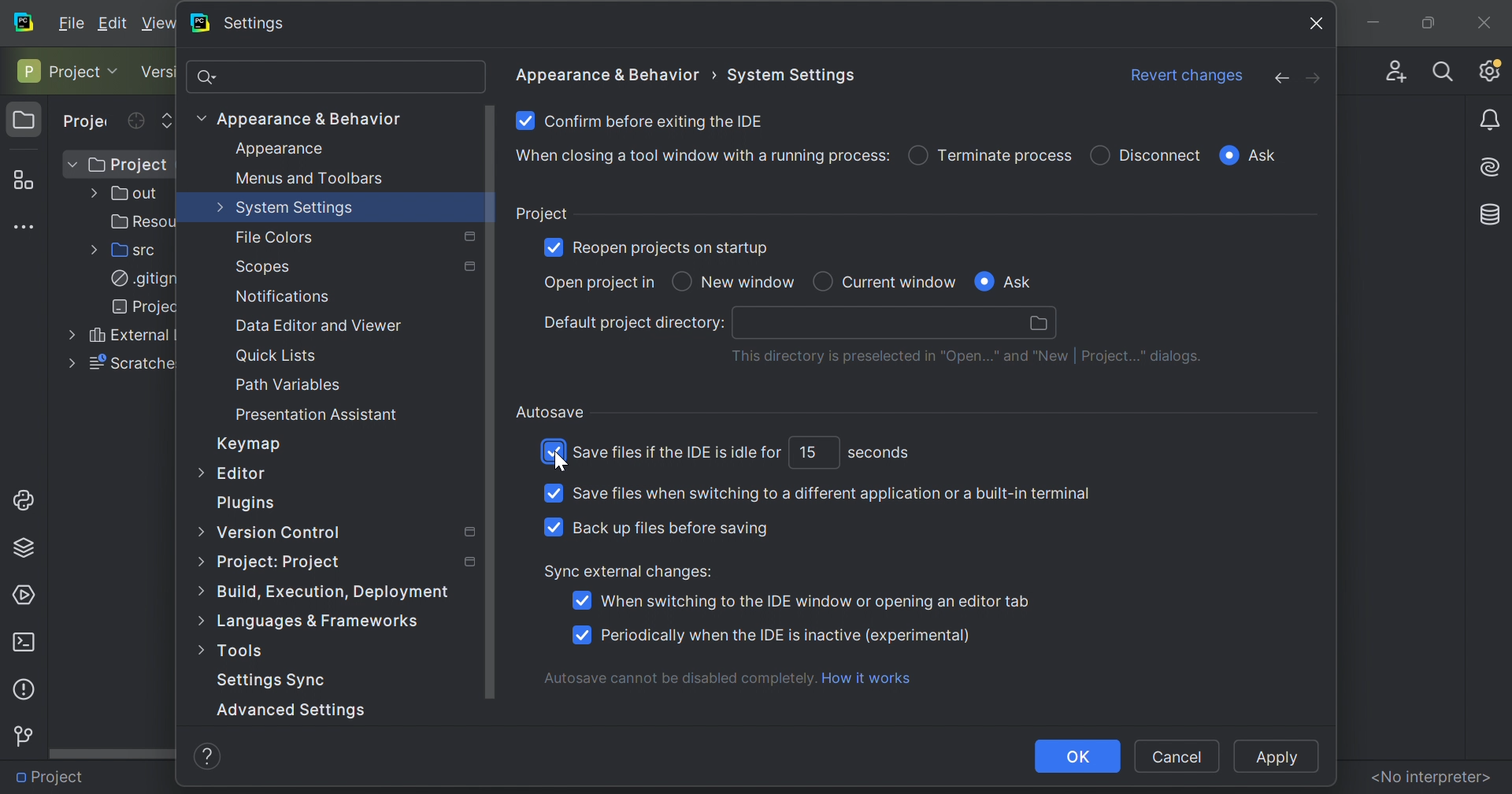  Describe the element at coordinates (198, 117) in the screenshot. I see `More` at that location.